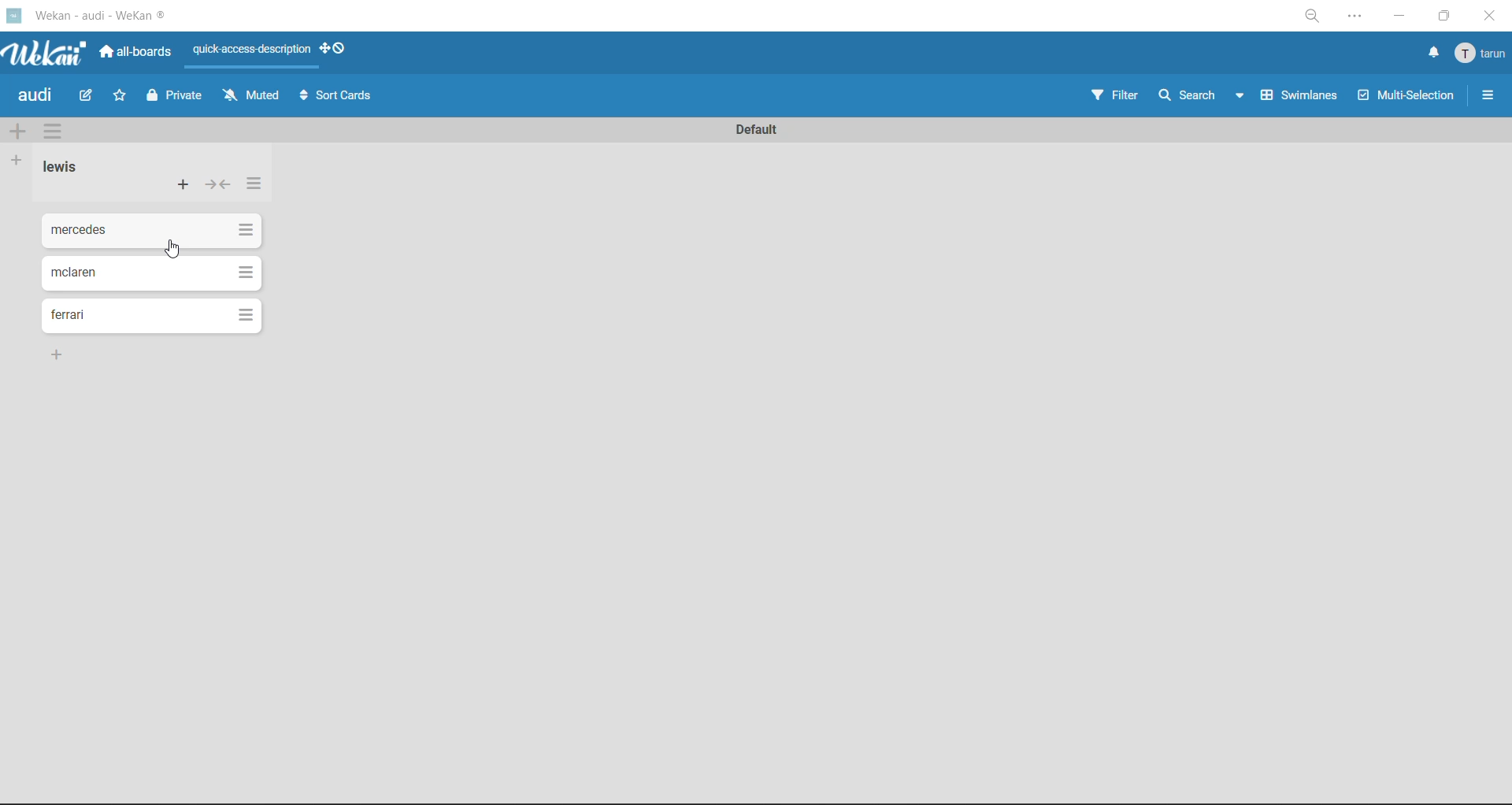 This screenshot has height=805, width=1512. I want to click on swimlanes, so click(1302, 98).